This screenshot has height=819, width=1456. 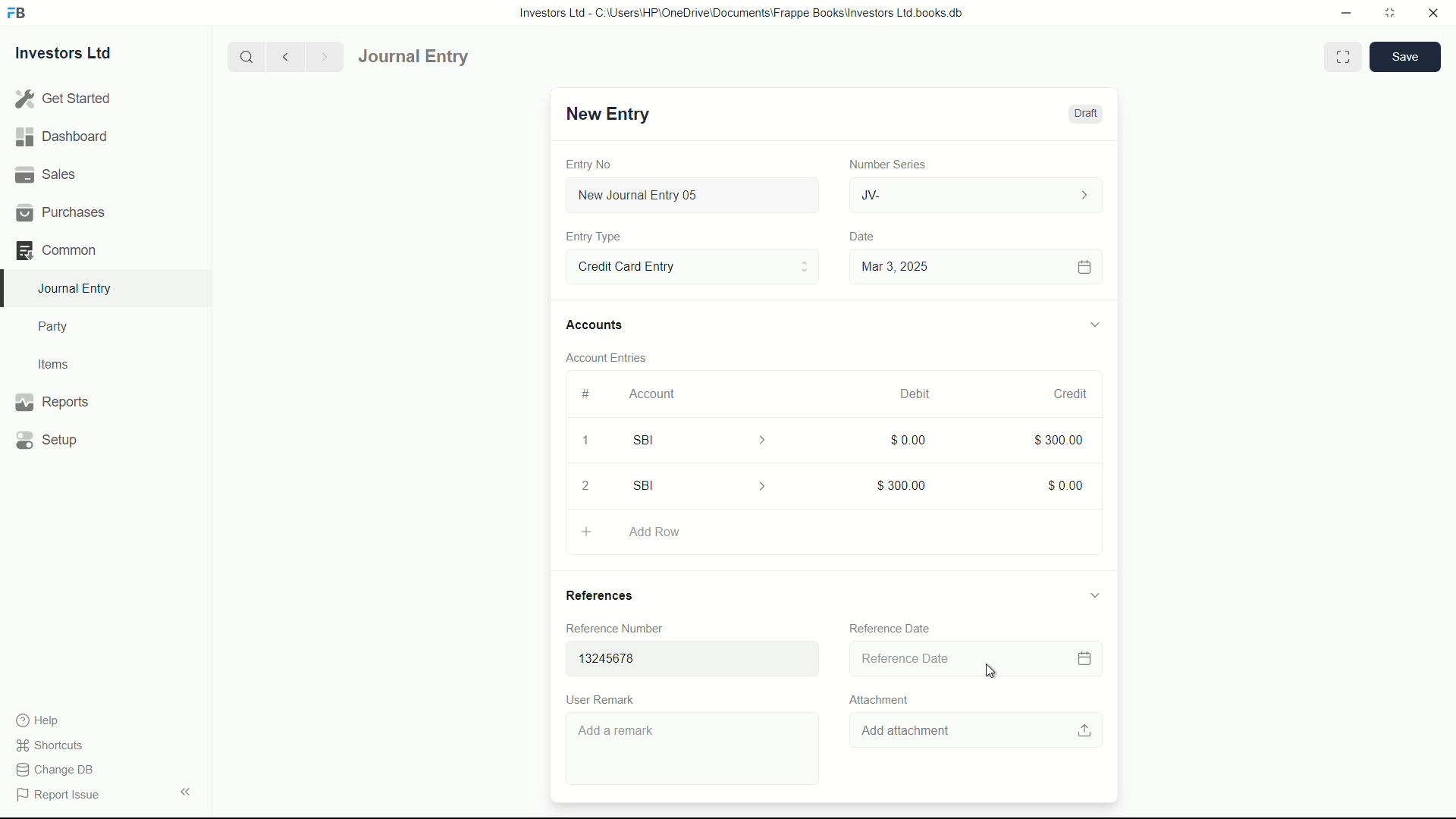 I want to click on 1, so click(x=585, y=443).